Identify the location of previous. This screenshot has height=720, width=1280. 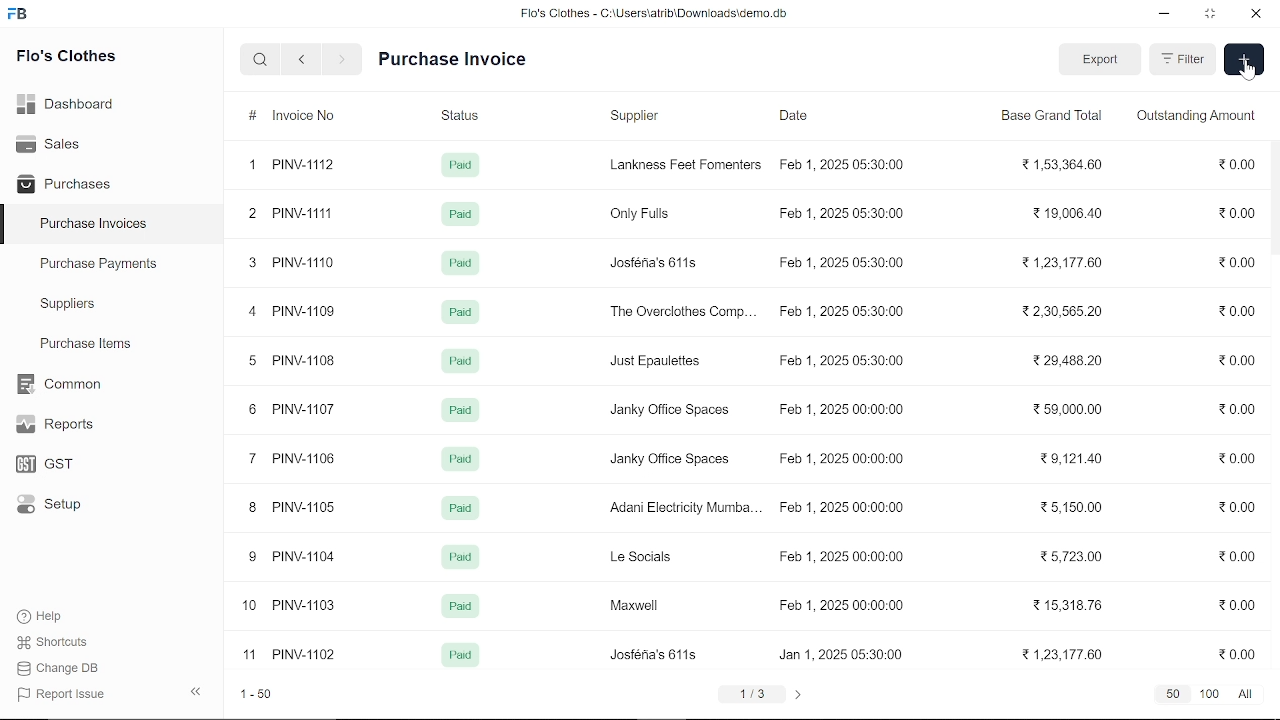
(303, 62).